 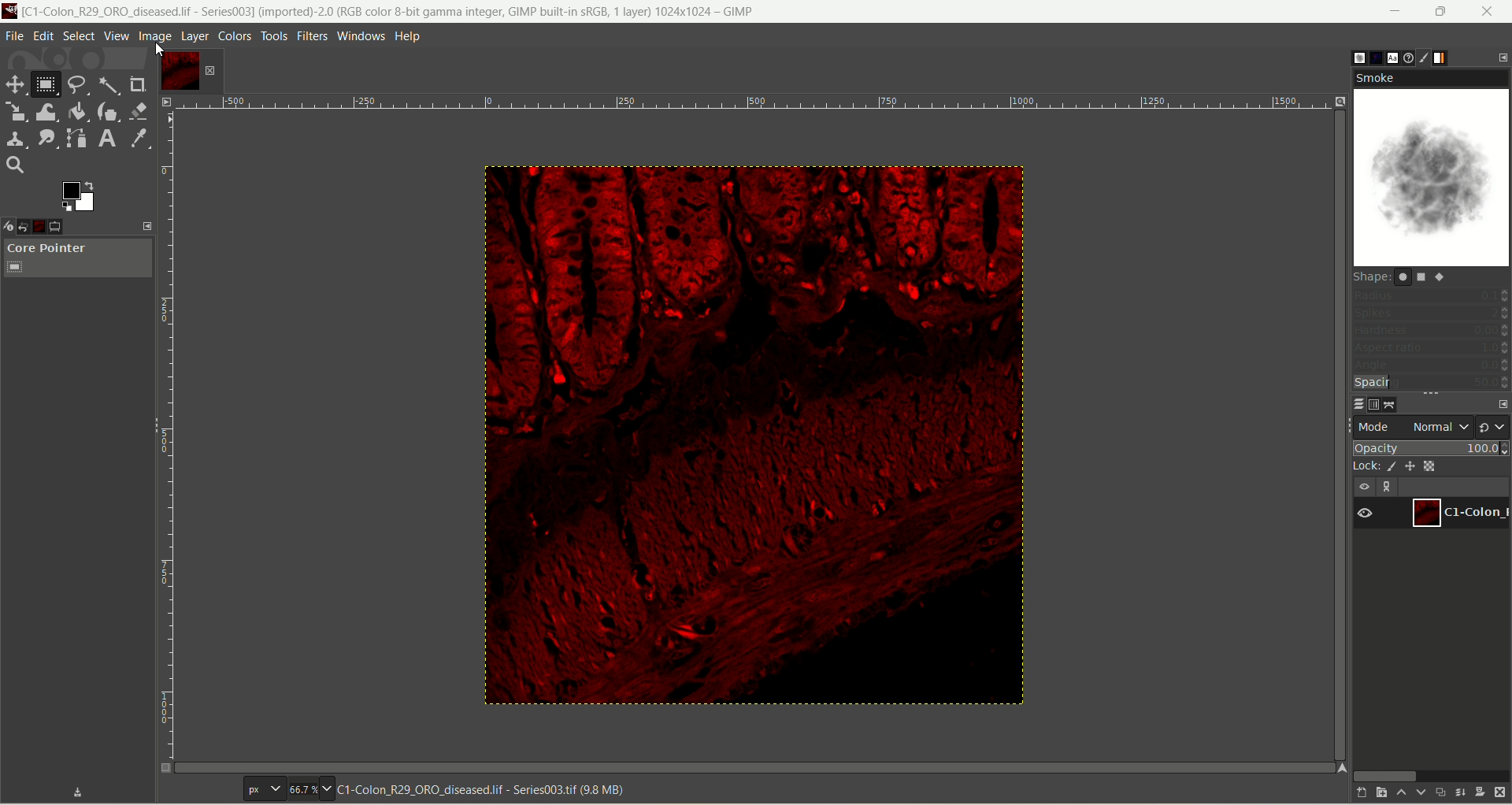 What do you see at coordinates (275, 36) in the screenshot?
I see `tools` at bounding box center [275, 36].